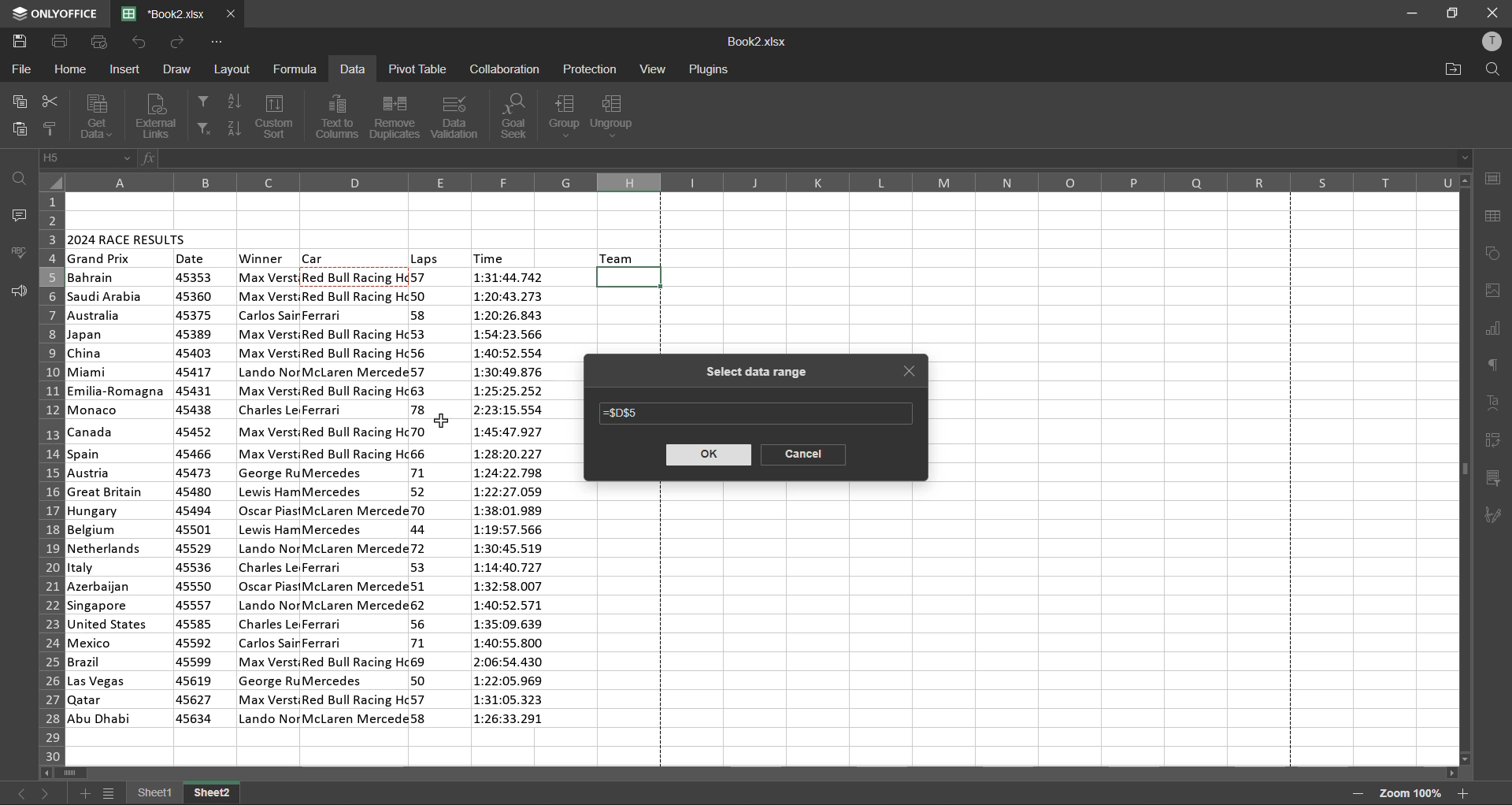  What do you see at coordinates (816, 158) in the screenshot?
I see `formula bar` at bounding box center [816, 158].